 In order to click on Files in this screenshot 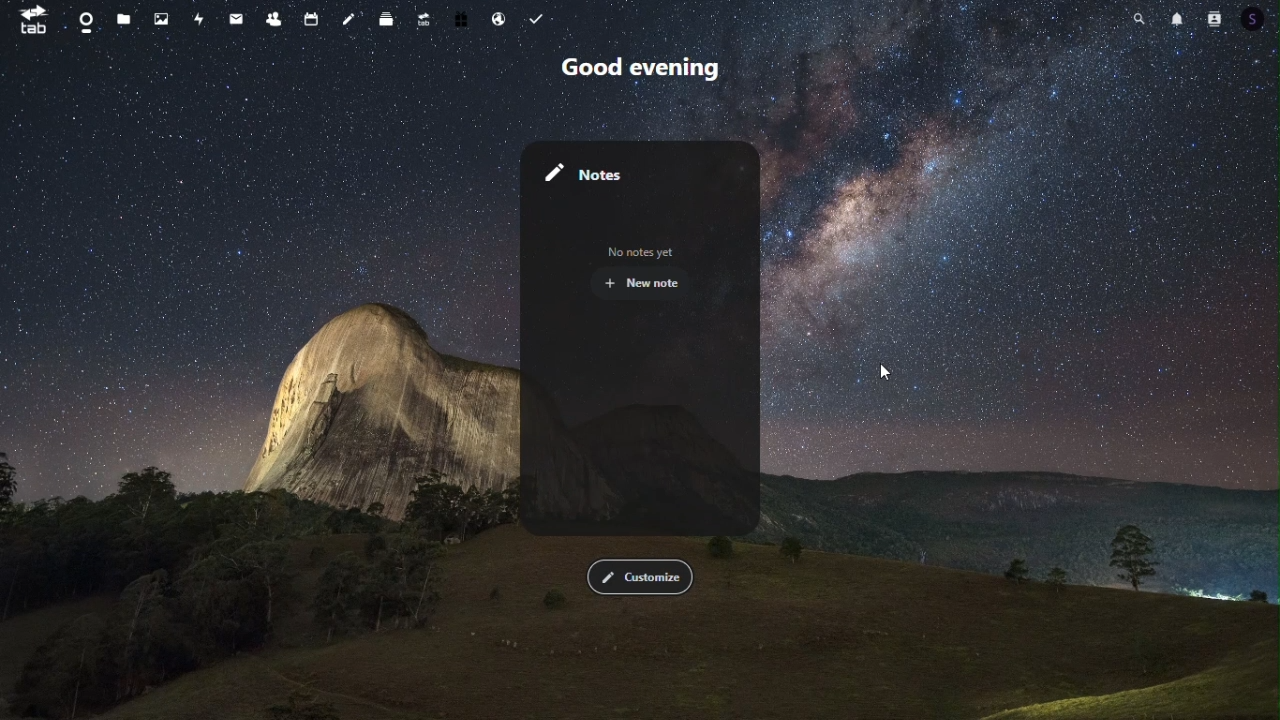, I will do `click(119, 18)`.